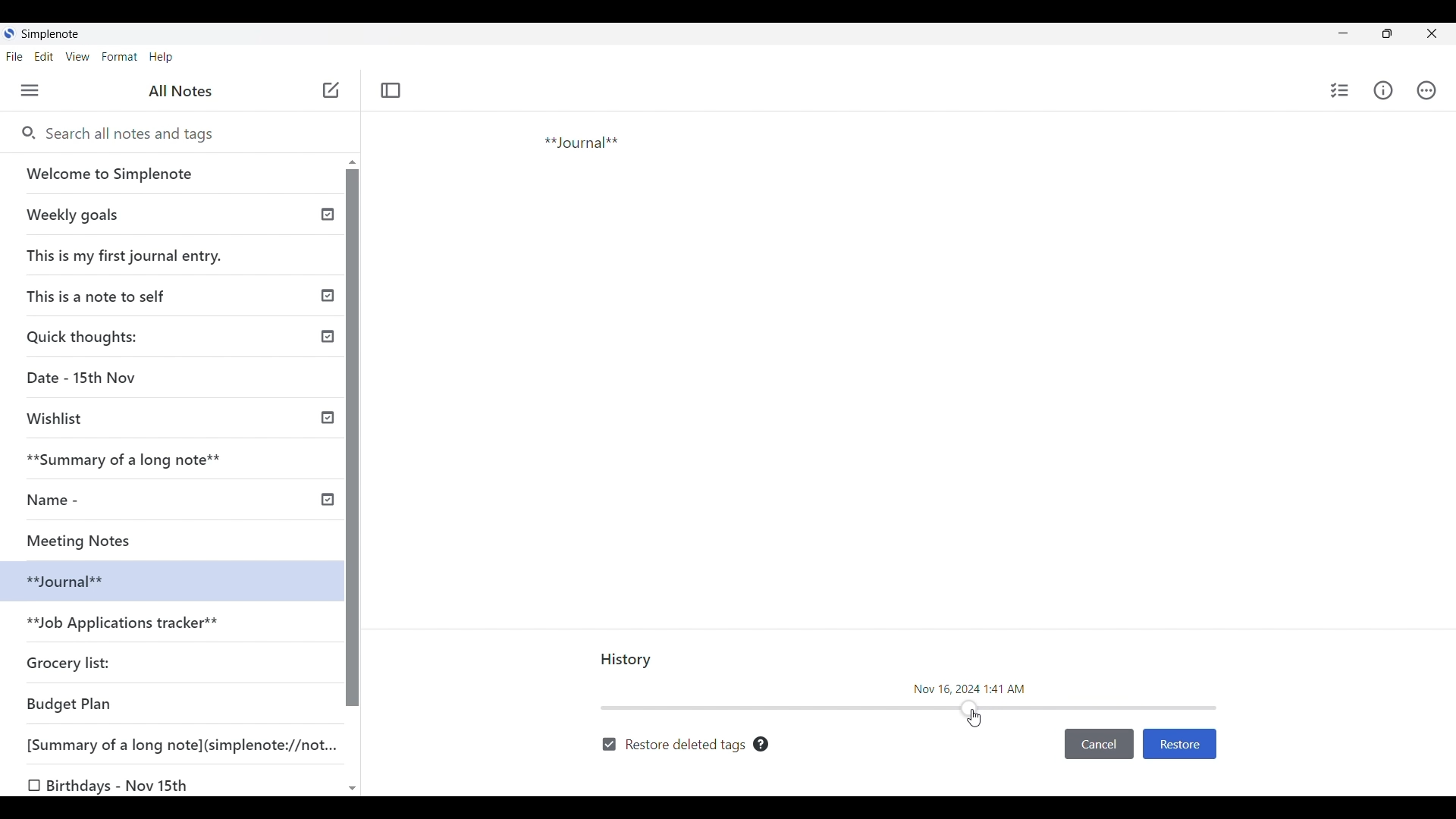 The height and width of the screenshot is (819, 1456). What do you see at coordinates (111, 786) in the screenshot?
I see `O Birthdays - Nov 15th` at bounding box center [111, 786].